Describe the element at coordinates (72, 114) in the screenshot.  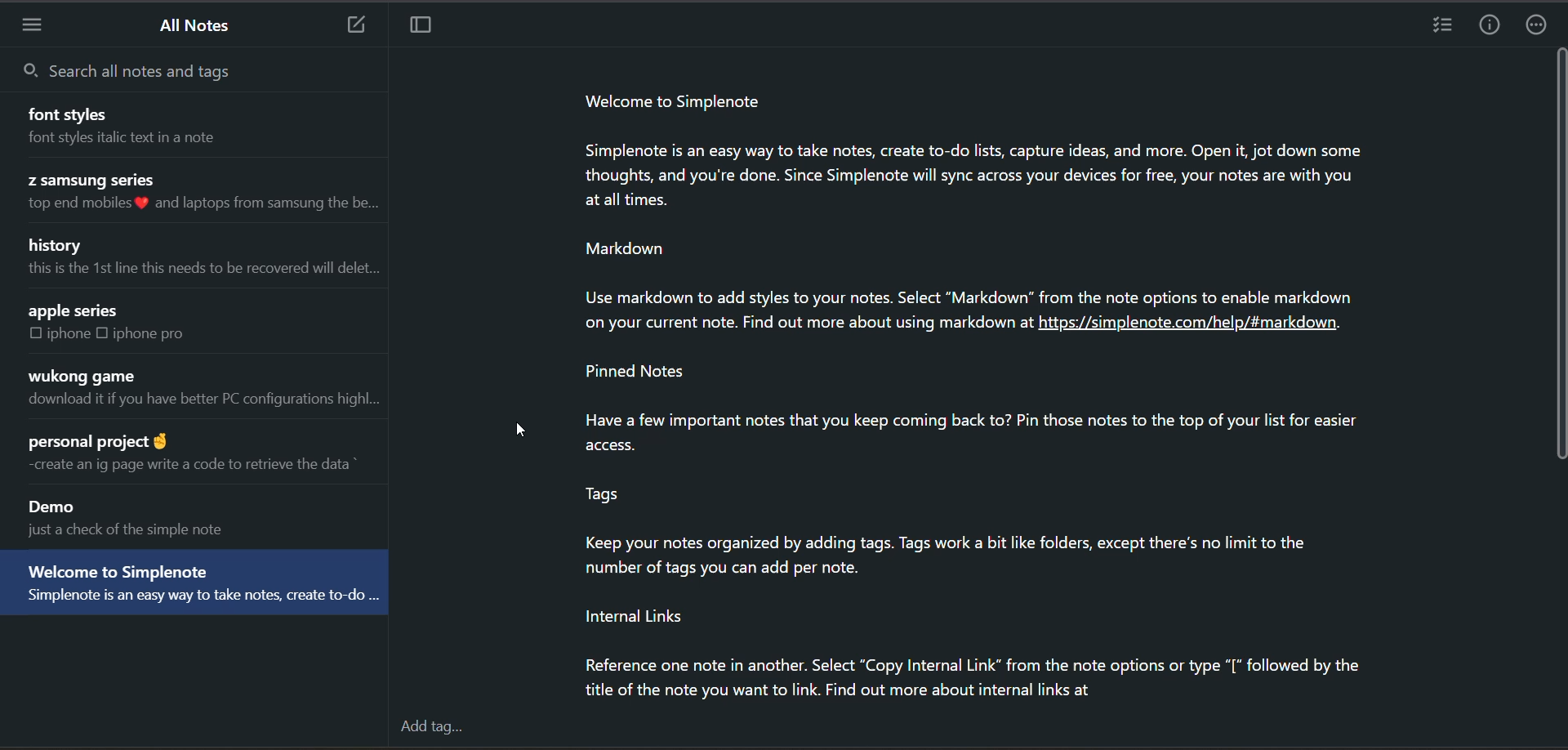
I see `font styles` at that location.